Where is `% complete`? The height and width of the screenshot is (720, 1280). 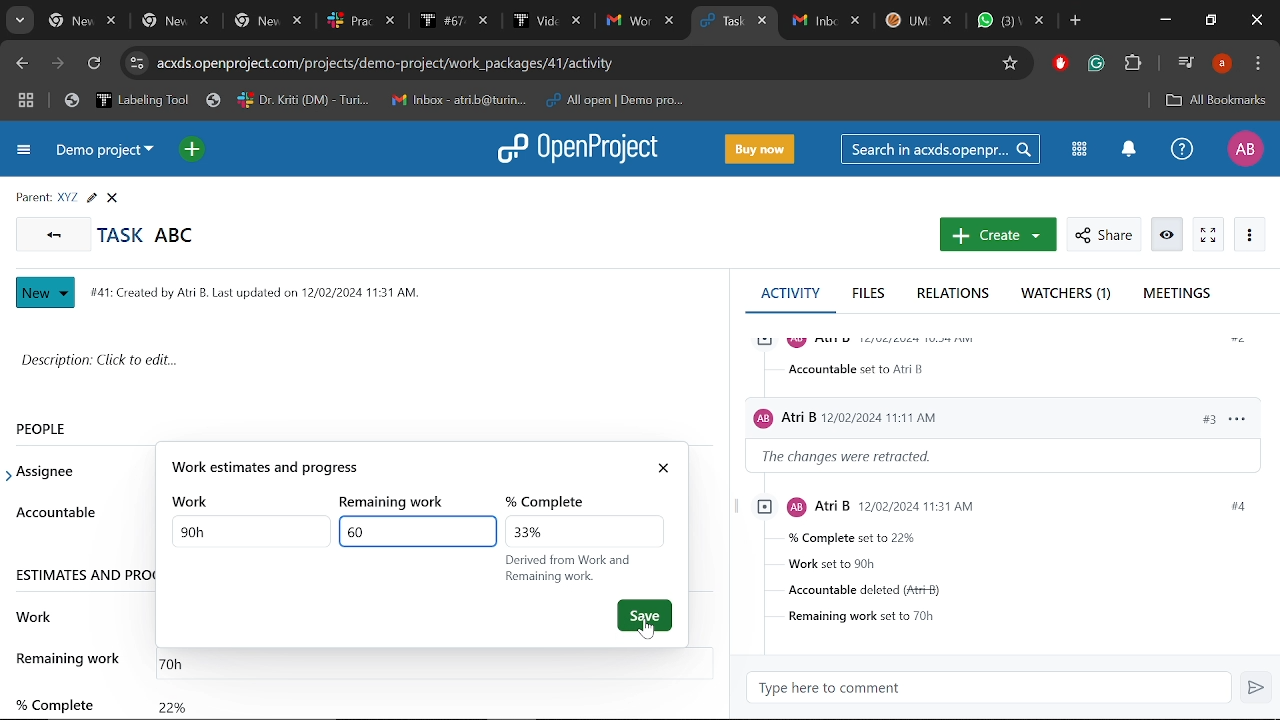 % complete is located at coordinates (53, 696).